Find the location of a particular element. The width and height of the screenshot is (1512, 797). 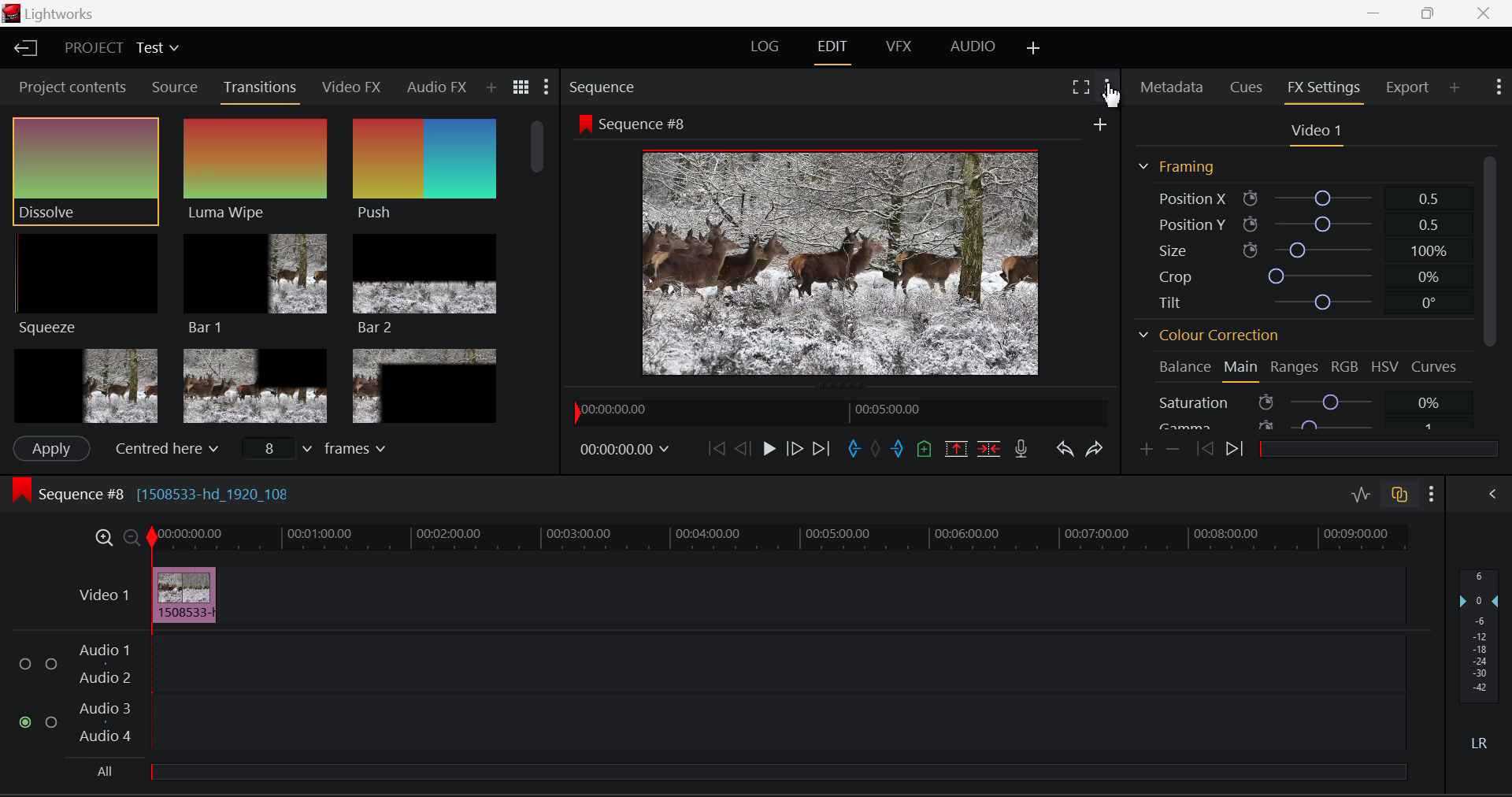

Luma Wipe is located at coordinates (254, 170).